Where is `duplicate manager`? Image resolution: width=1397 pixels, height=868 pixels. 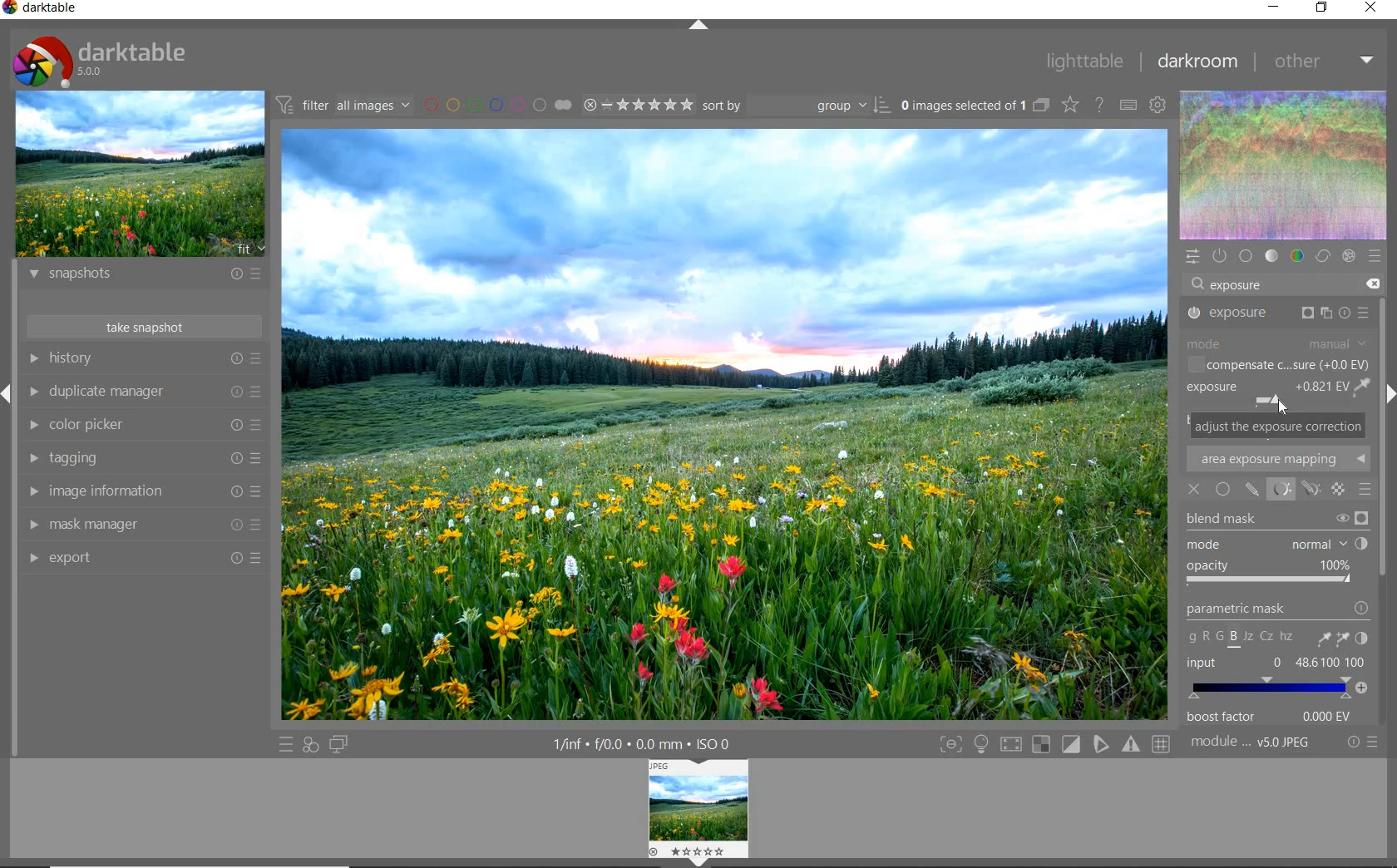 duplicate manager is located at coordinates (146, 394).